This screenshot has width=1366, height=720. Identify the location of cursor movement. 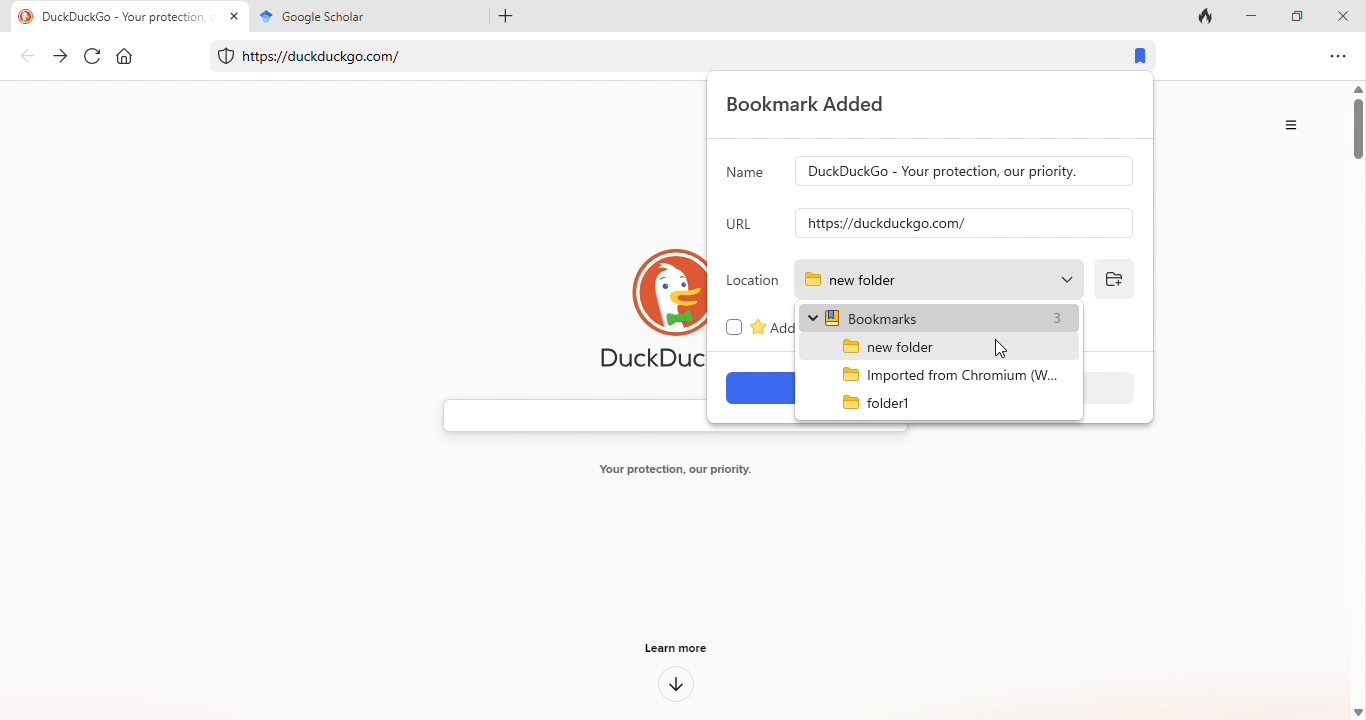
(1003, 346).